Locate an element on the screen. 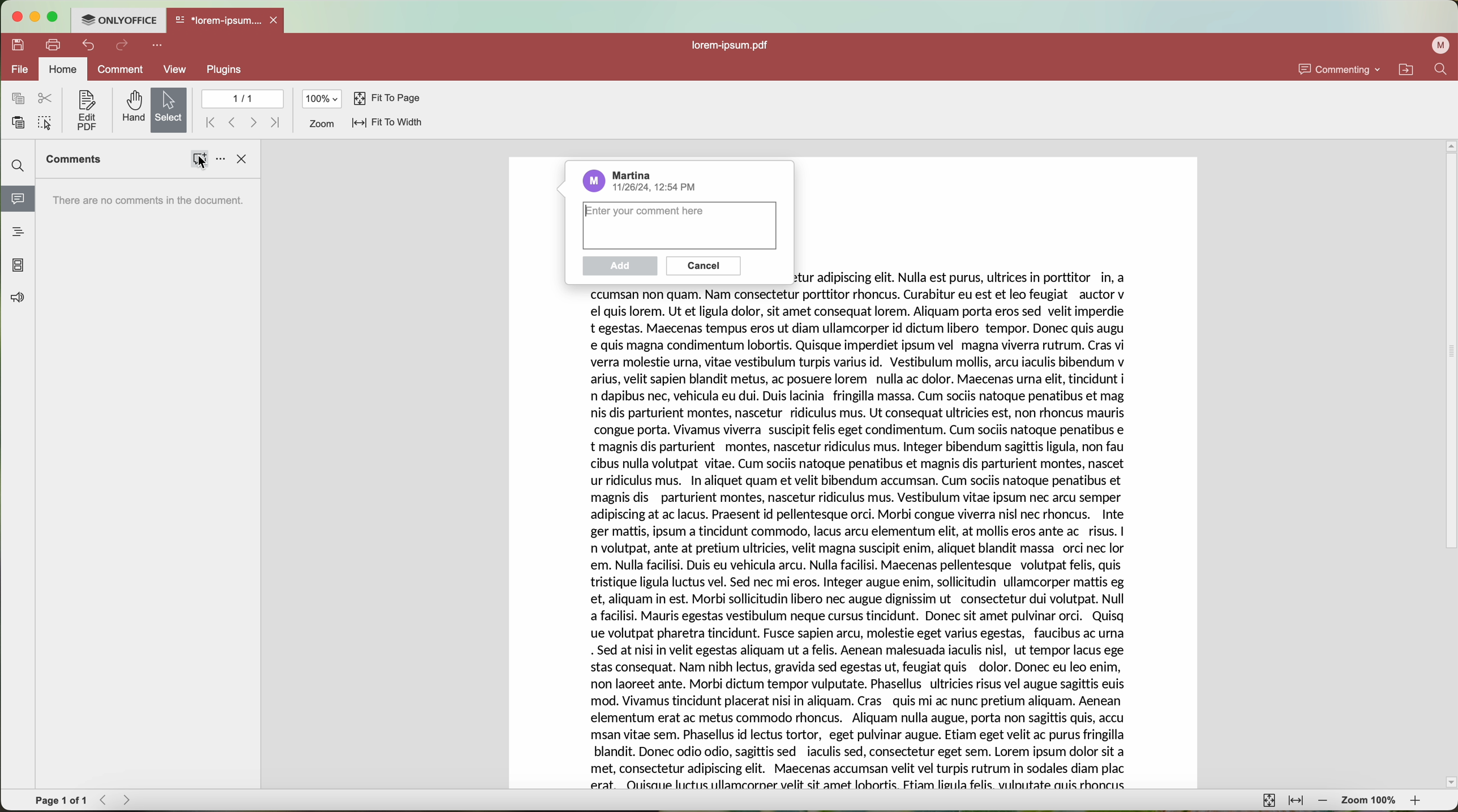  profile is located at coordinates (1439, 46).